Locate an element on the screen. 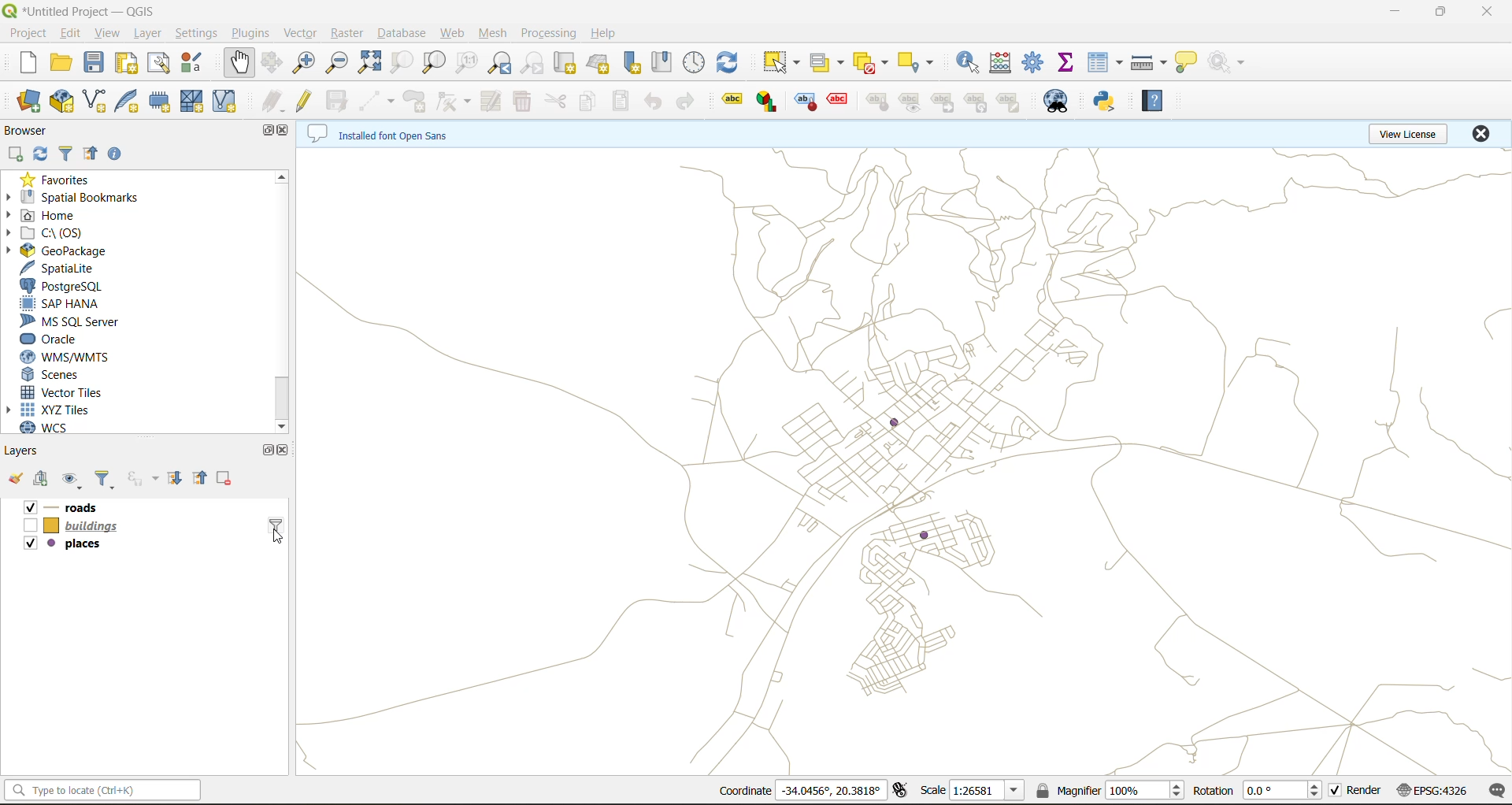  web is located at coordinates (453, 35).